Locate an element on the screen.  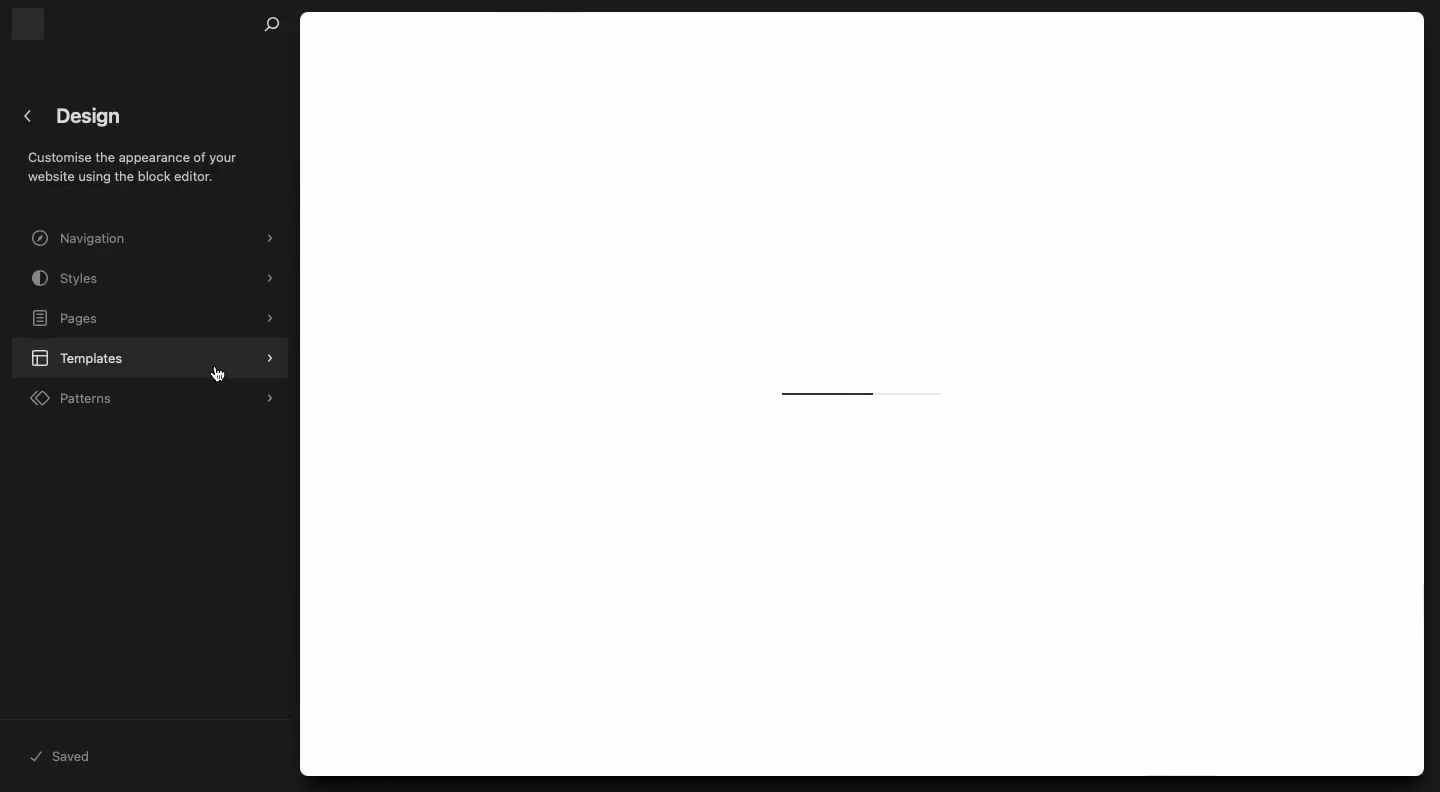
Navigation is located at coordinates (153, 239).